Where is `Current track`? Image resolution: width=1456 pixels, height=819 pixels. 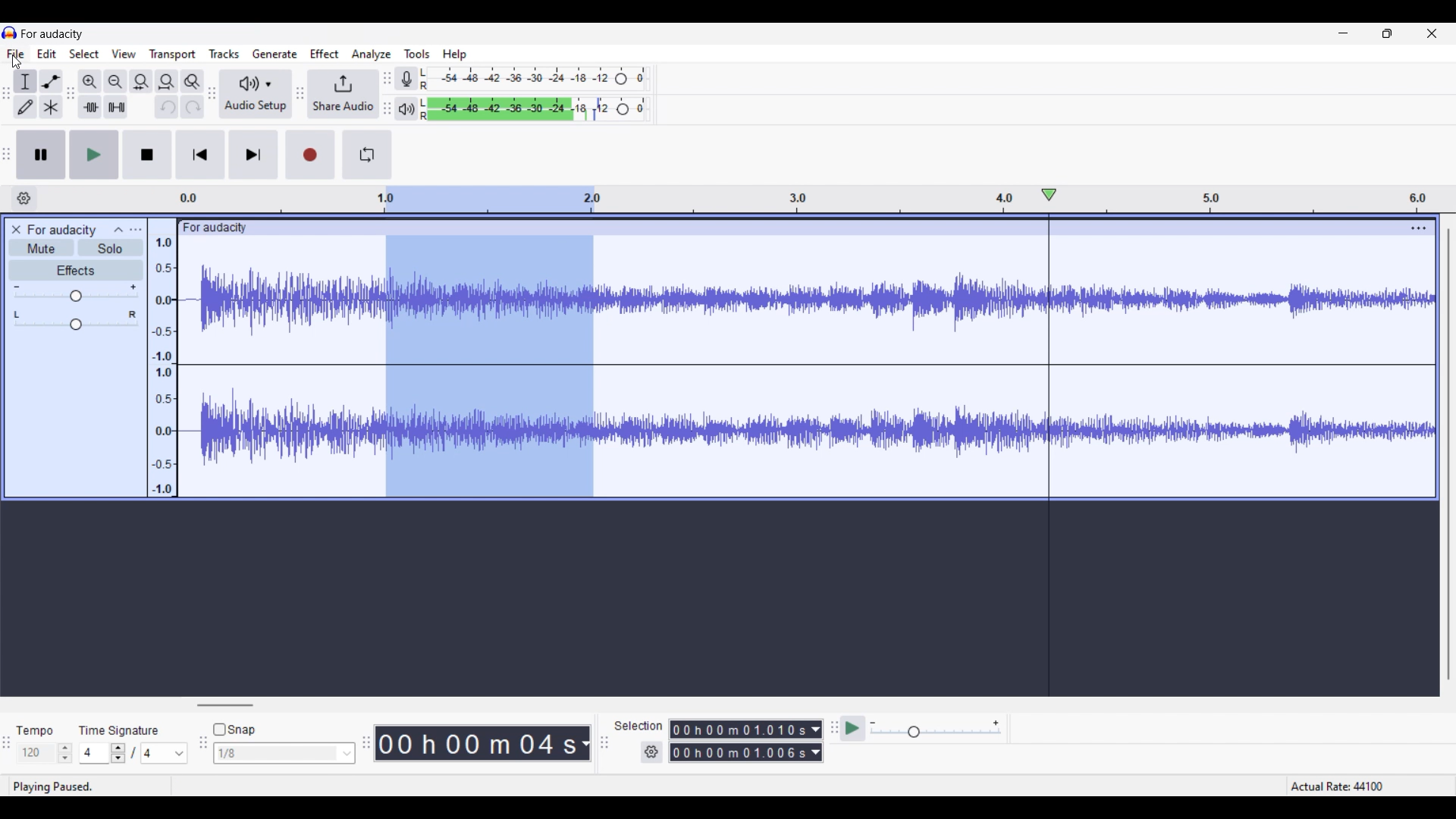 Current track is located at coordinates (279, 359).